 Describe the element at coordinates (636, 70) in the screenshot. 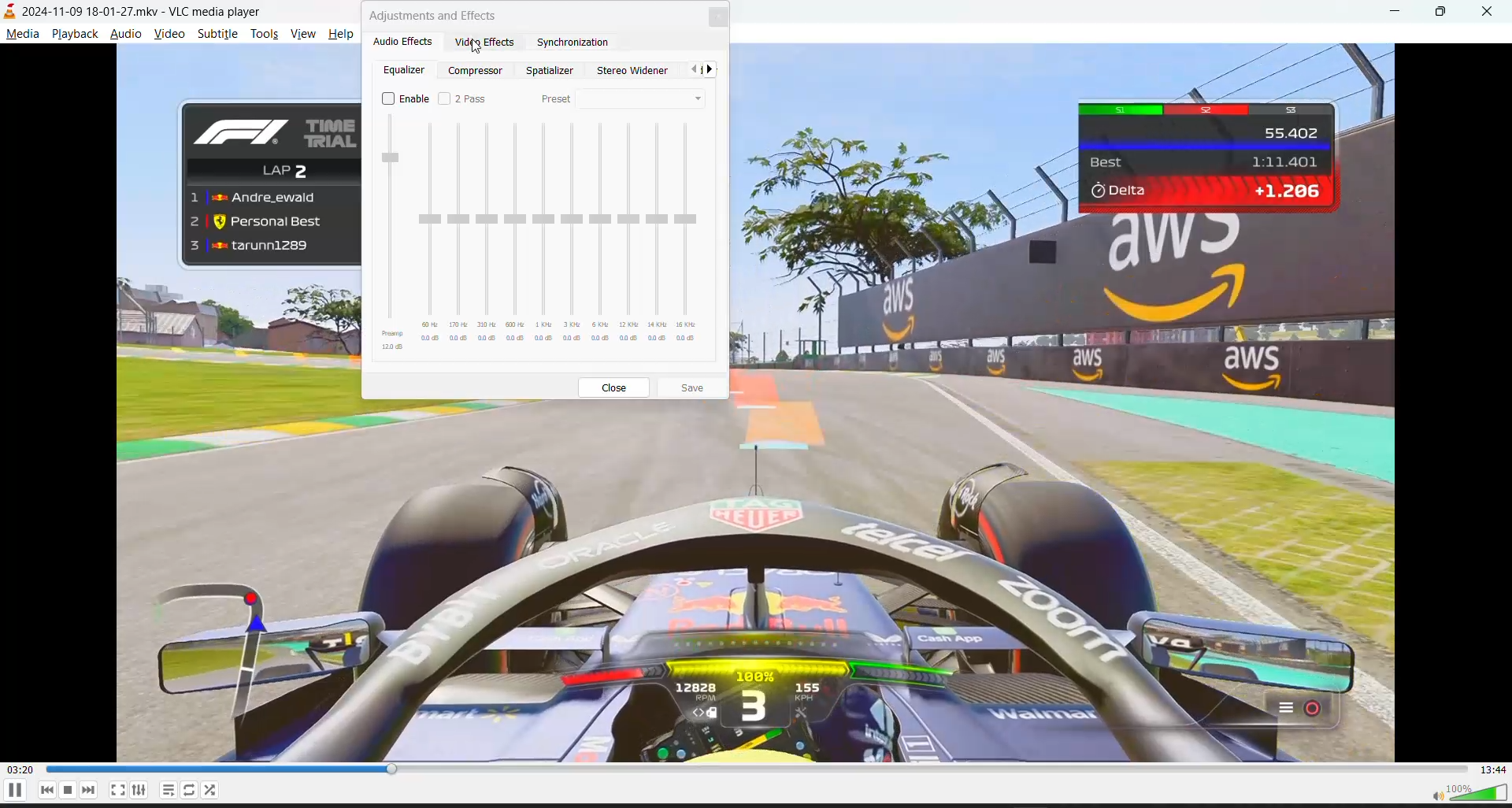

I see `stereo widener` at that location.